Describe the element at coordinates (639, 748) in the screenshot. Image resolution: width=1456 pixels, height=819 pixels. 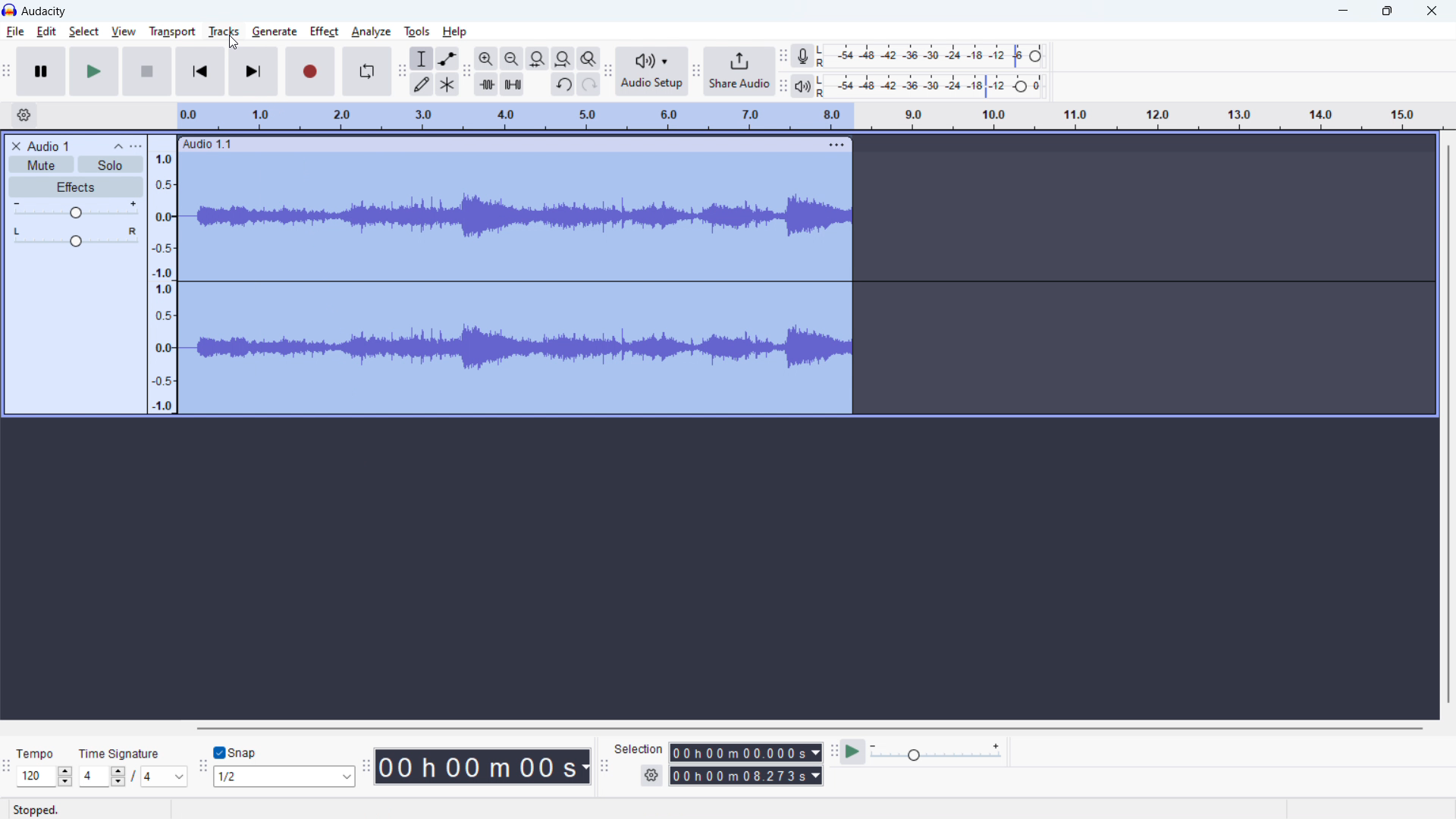
I see `Selection` at that location.